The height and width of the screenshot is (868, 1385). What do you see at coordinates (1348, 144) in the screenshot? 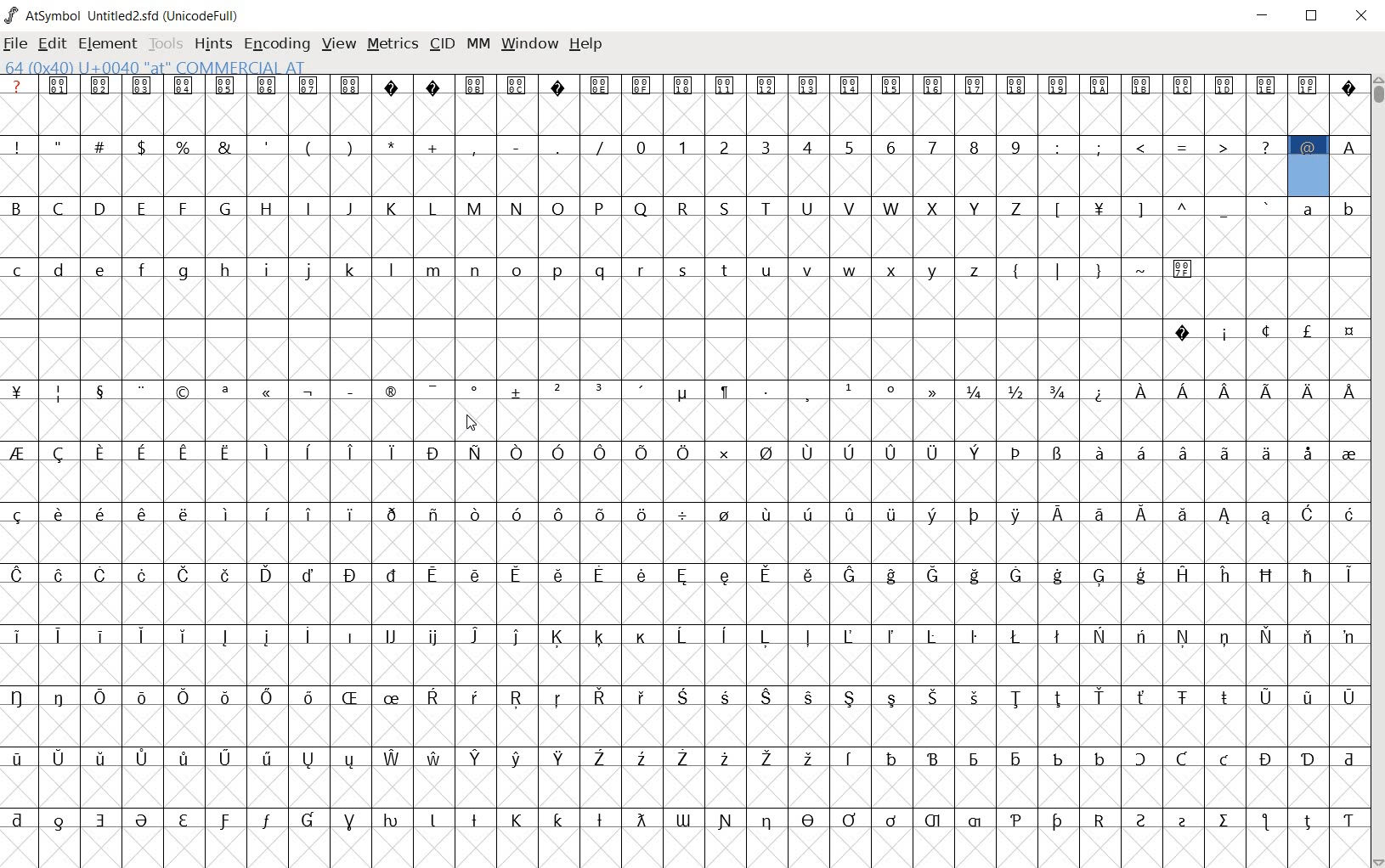
I see `A` at bounding box center [1348, 144].